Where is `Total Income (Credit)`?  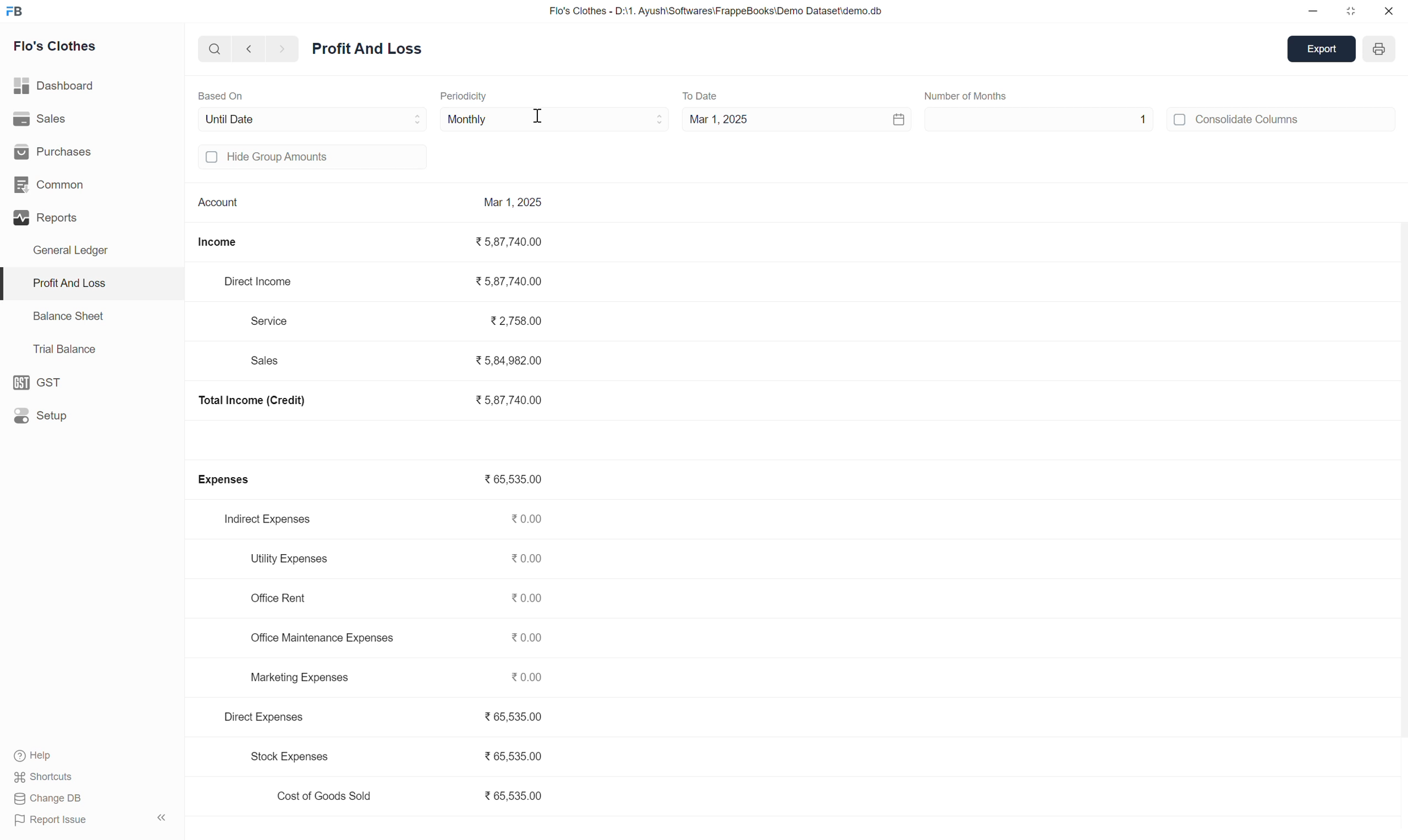
Total Income (Credit) is located at coordinates (267, 402).